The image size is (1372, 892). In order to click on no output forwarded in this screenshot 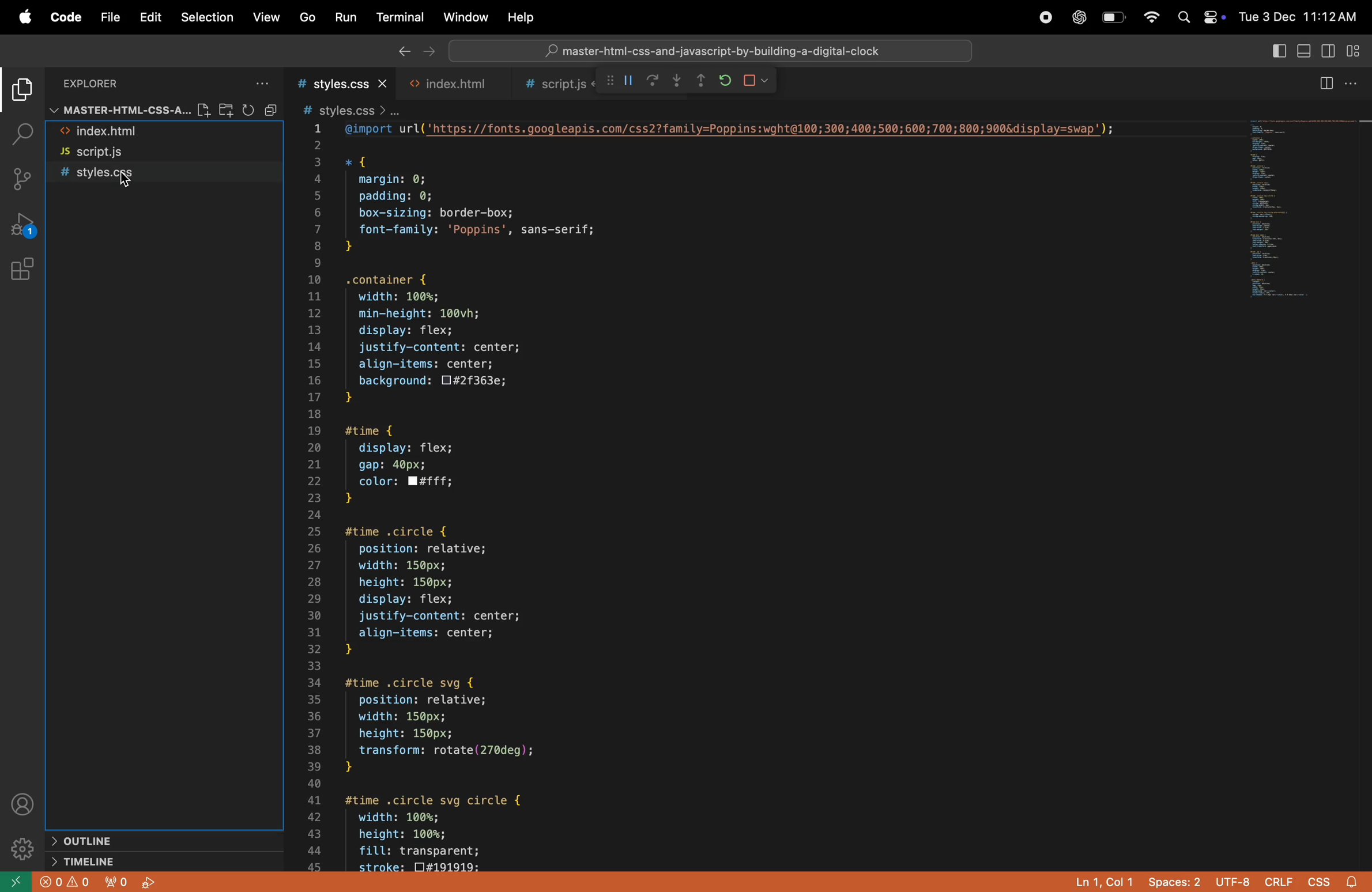, I will do `click(112, 881)`.